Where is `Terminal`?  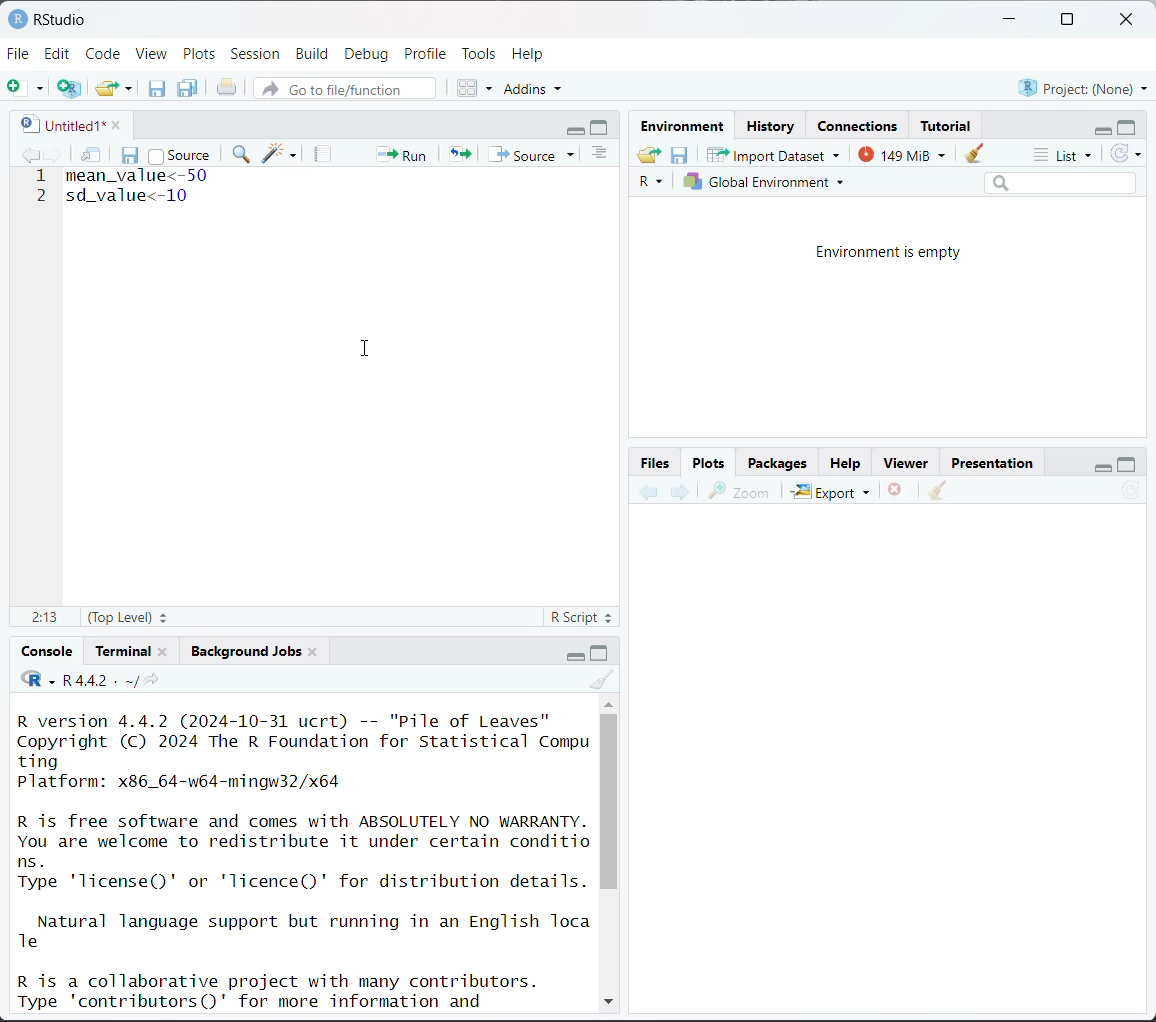
Terminal is located at coordinates (125, 648).